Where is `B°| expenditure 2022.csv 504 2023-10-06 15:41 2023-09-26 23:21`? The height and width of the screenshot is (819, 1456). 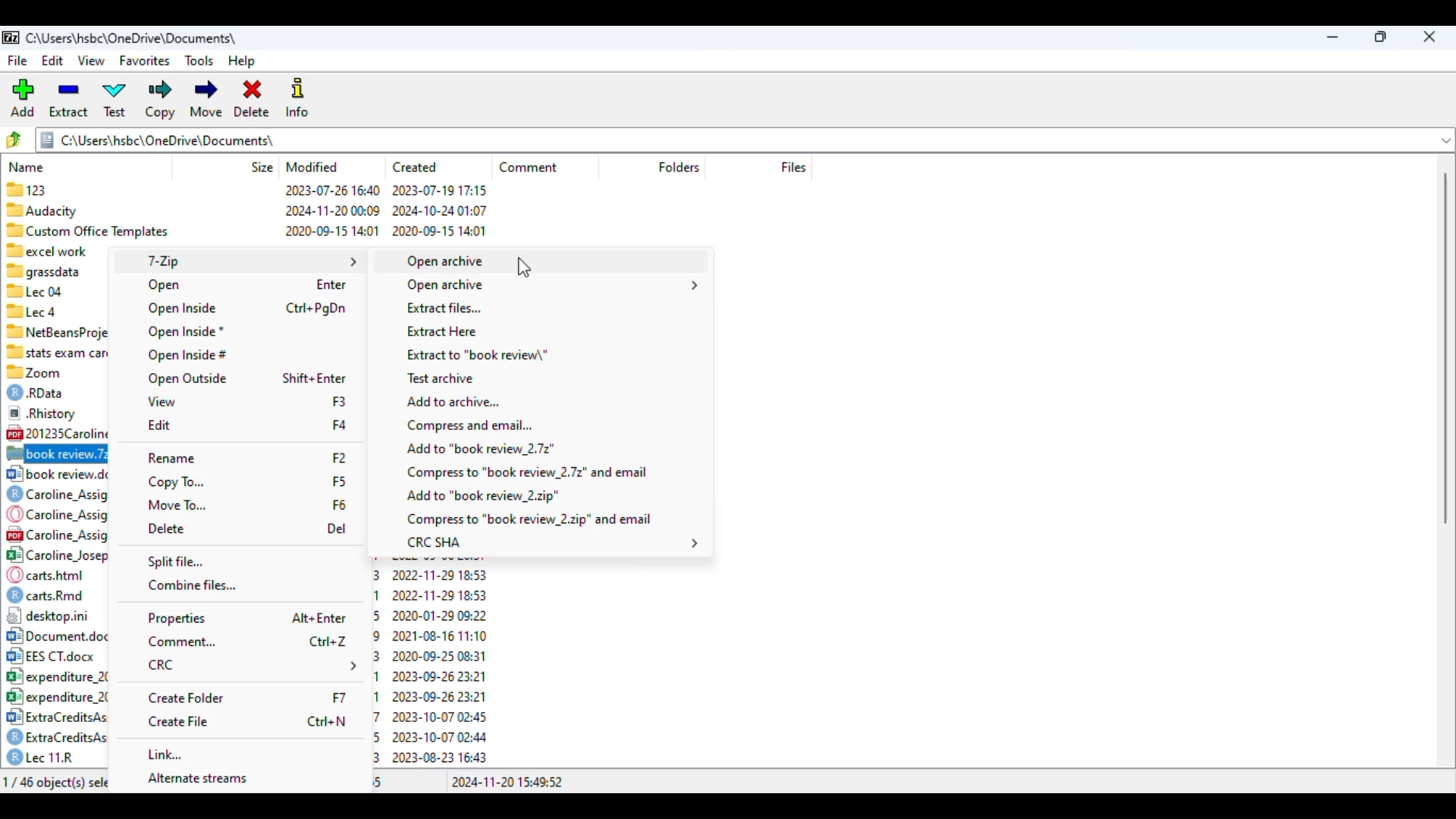
B°| expenditure 2022.csv 504 2023-10-06 15:41 2023-09-26 23:21 is located at coordinates (56, 696).